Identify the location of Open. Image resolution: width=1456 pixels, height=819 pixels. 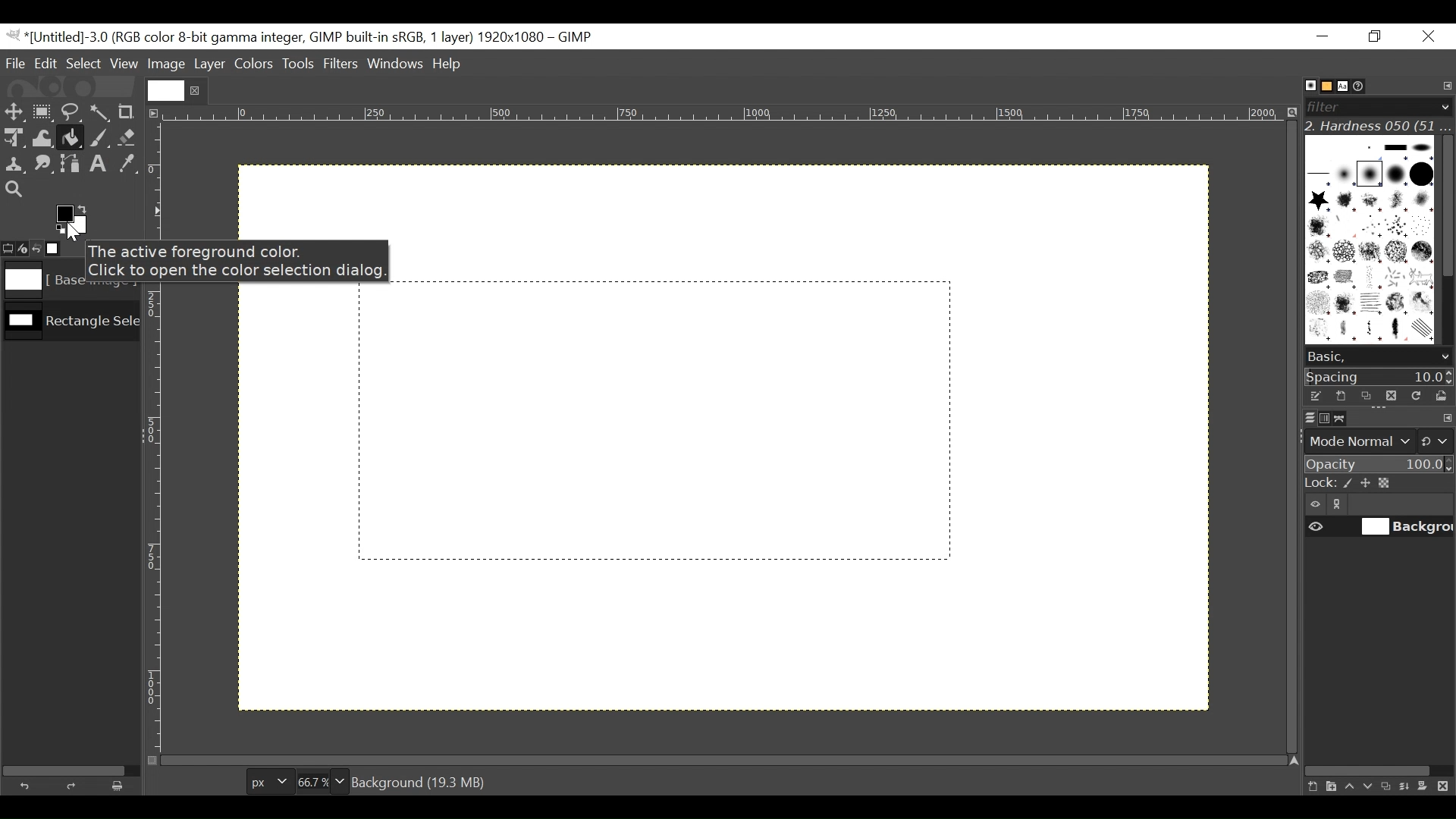
(1438, 396).